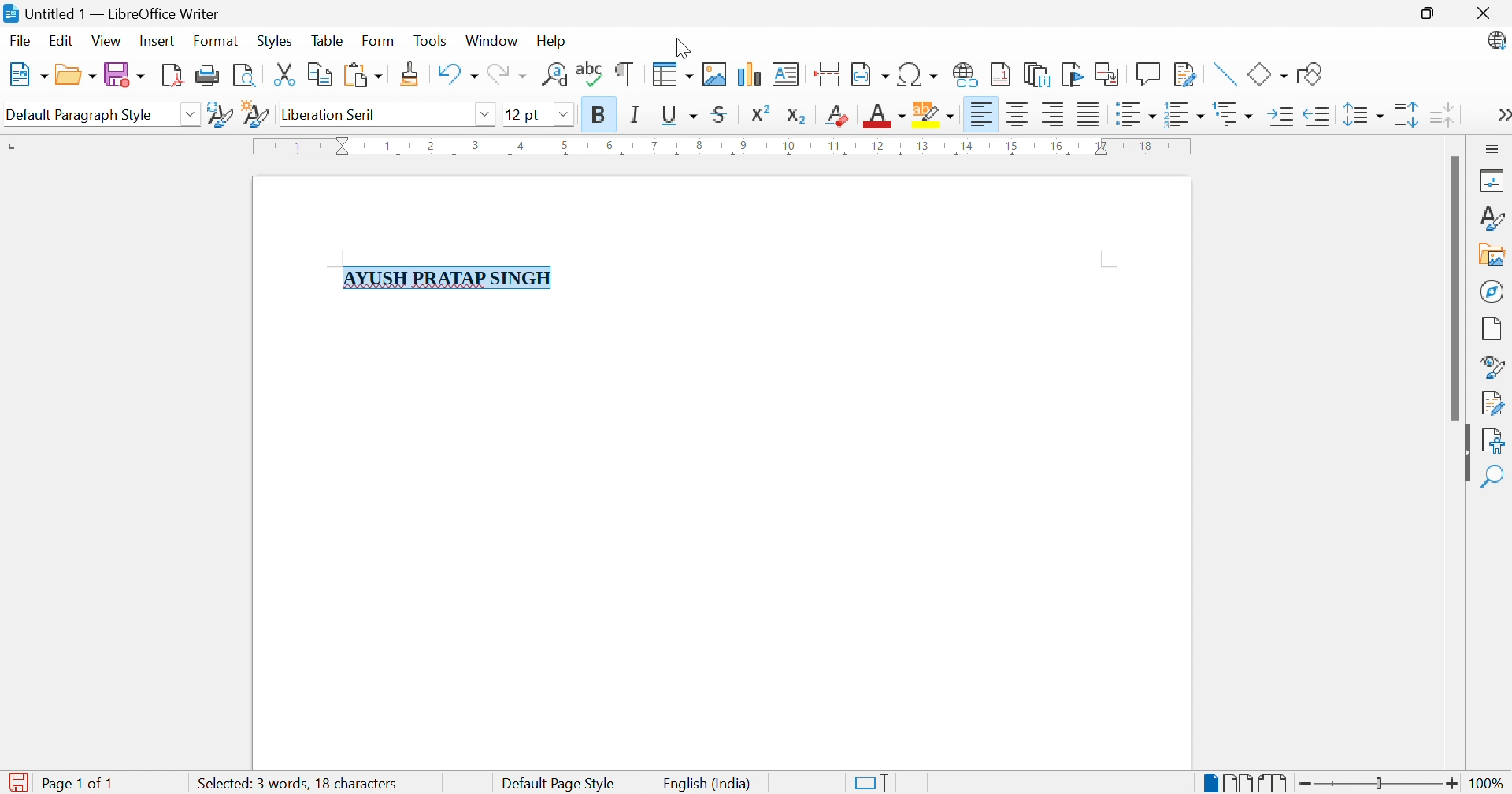 Image resolution: width=1512 pixels, height=794 pixels. Describe the element at coordinates (1281, 114) in the screenshot. I see `Increase Indent` at that location.